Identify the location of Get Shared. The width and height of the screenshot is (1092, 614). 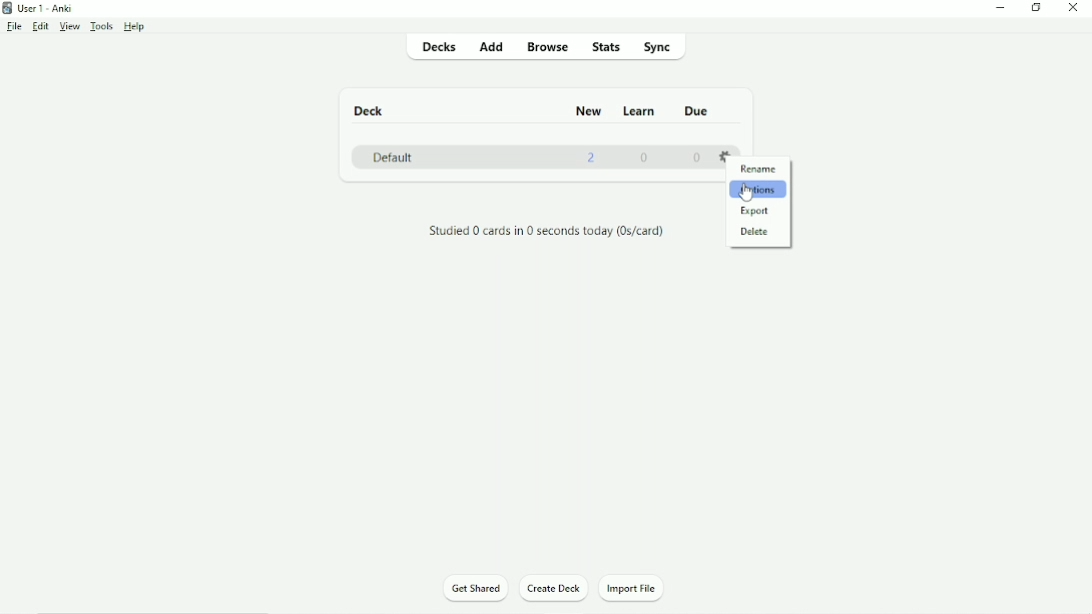
(476, 589).